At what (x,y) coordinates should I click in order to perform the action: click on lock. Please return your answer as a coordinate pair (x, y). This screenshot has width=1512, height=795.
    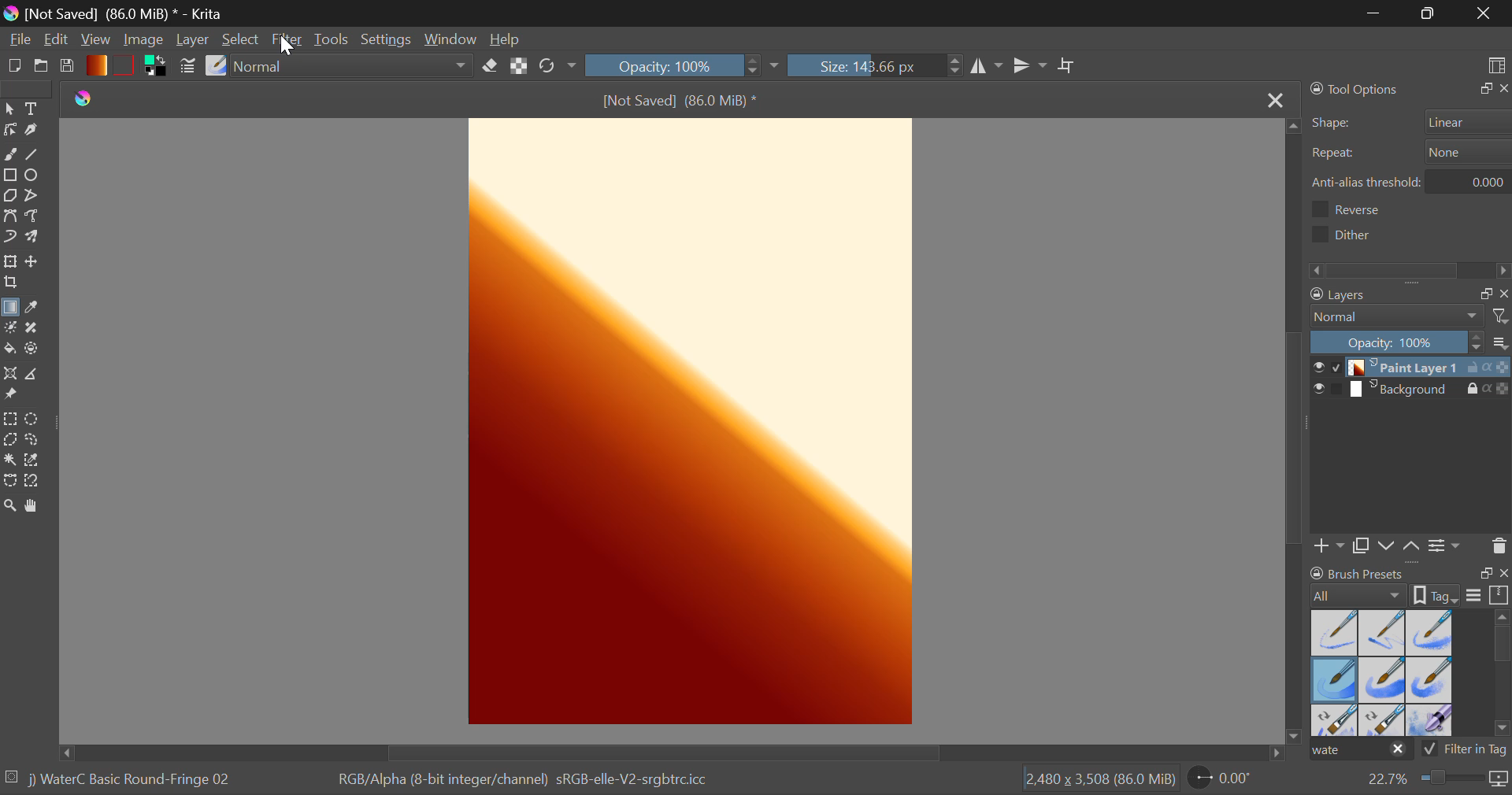
    Looking at the image, I should click on (1475, 390).